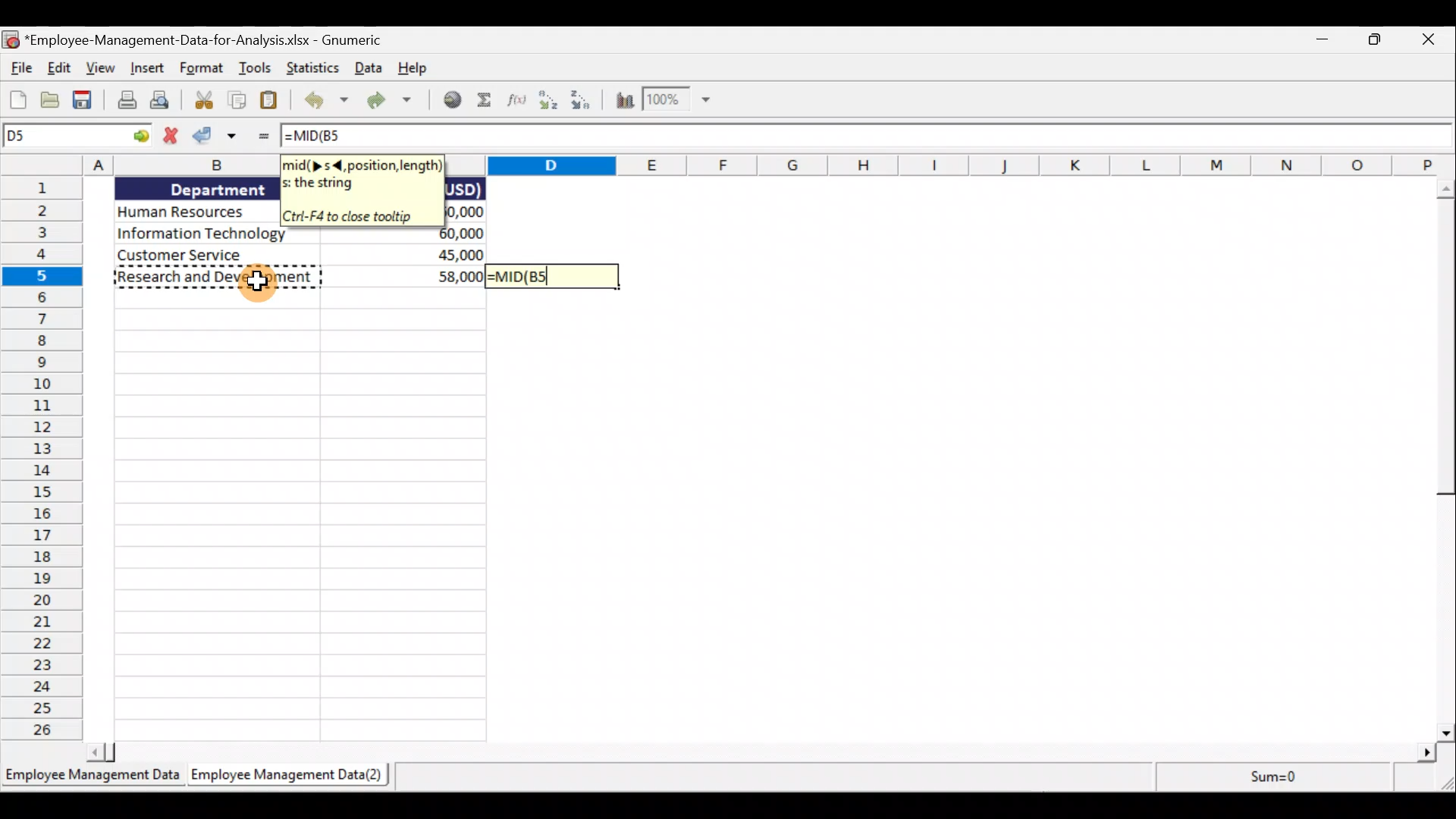 This screenshot has width=1456, height=819. What do you see at coordinates (202, 102) in the screenshot?
I see `Cut selection` at bounding box center [202, 102].